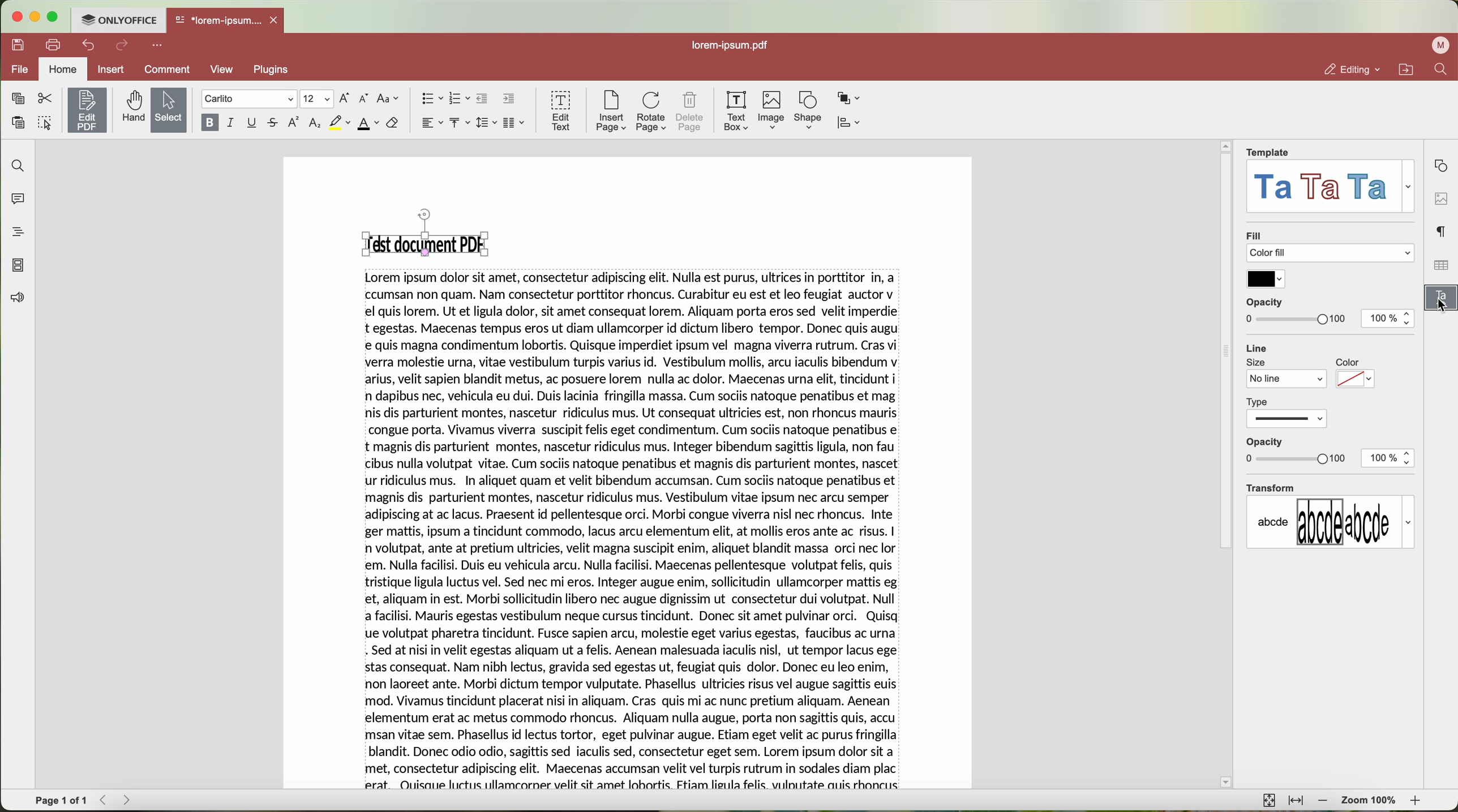 The height and width of the screenshot is (812, 1458). What do you see at coordinates (121, 20) in the screenshot?
I see `ONLYOFFICE` at bounding box center [121, 20].